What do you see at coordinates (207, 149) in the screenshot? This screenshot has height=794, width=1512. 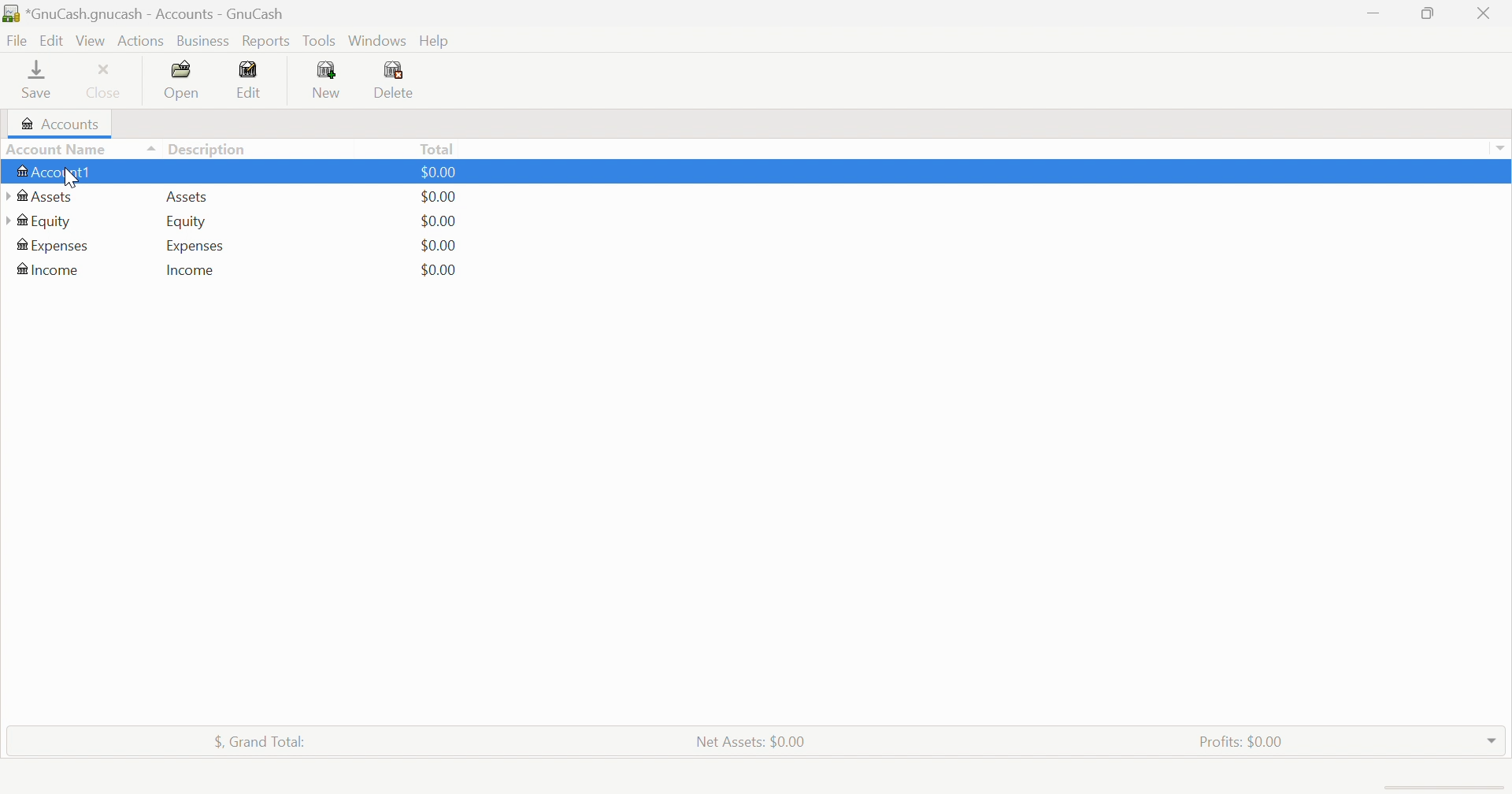 I see `Description` at bounding box center [207, 149].